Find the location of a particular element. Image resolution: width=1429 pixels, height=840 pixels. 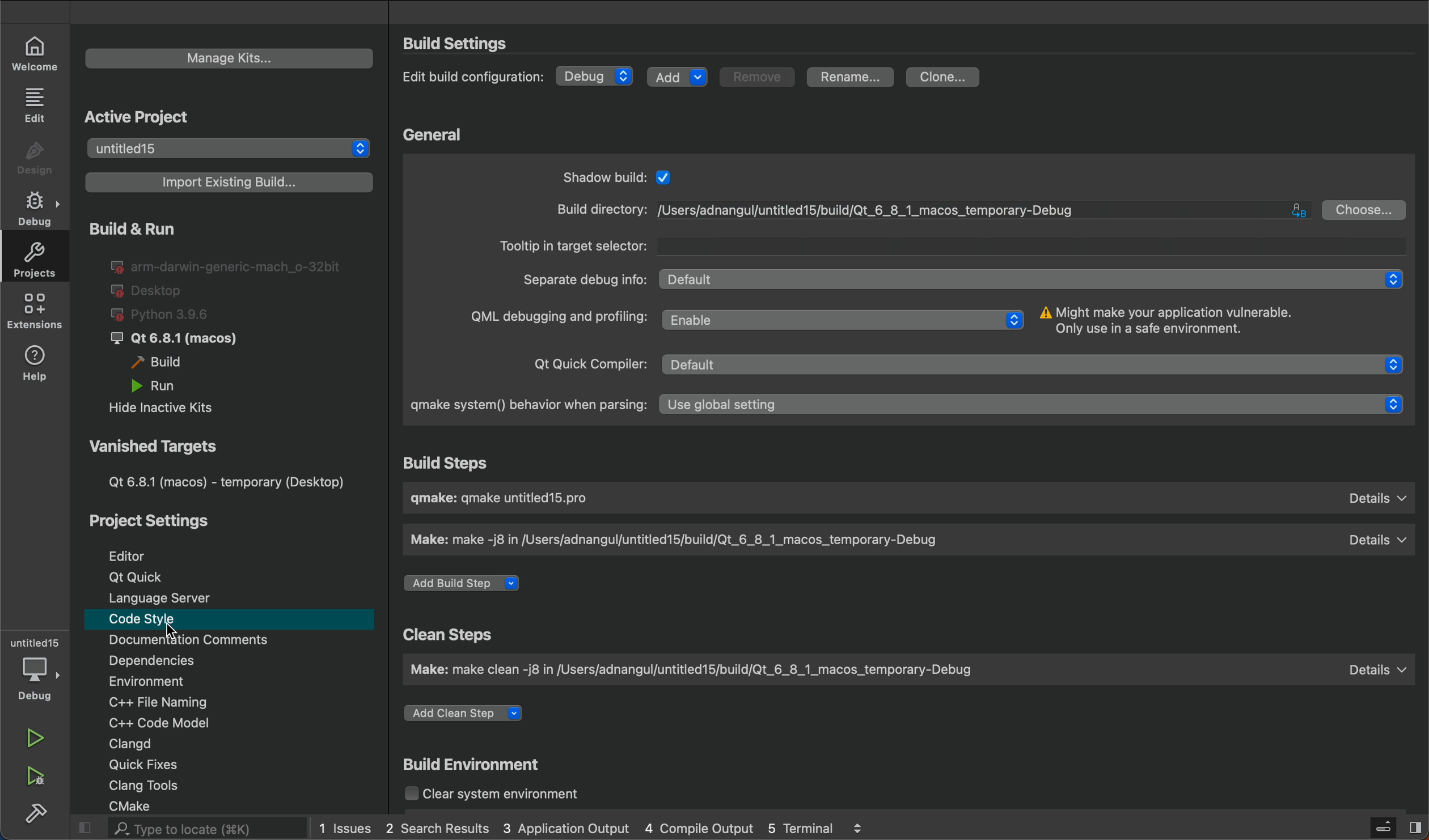

projects is located at coordinates (34, 258).